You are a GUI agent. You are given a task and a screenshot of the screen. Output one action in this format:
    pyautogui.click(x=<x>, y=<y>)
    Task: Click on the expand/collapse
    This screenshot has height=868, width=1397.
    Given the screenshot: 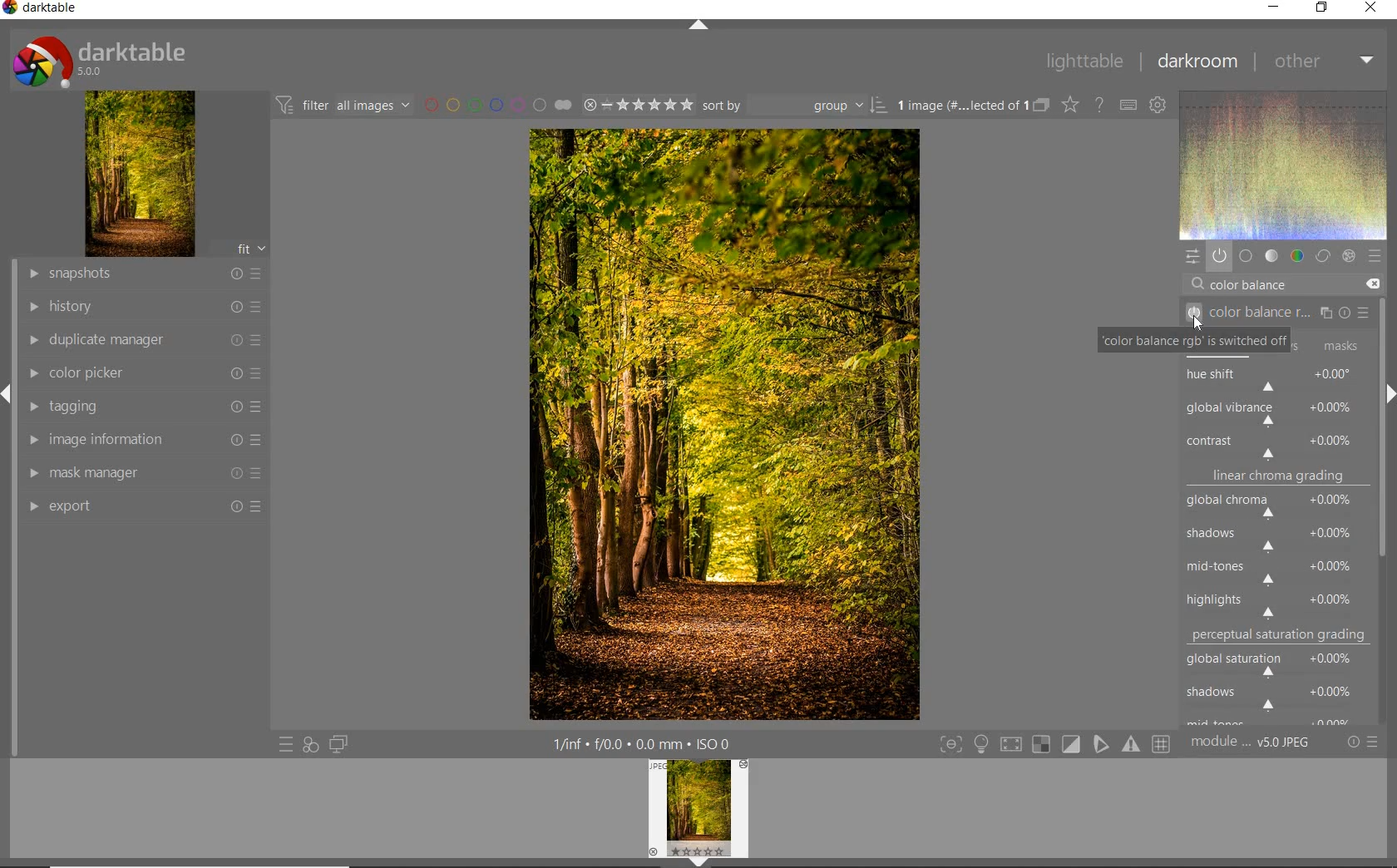 What is the action you would take?
    pyautogui.click(x=1386, y=394)
    